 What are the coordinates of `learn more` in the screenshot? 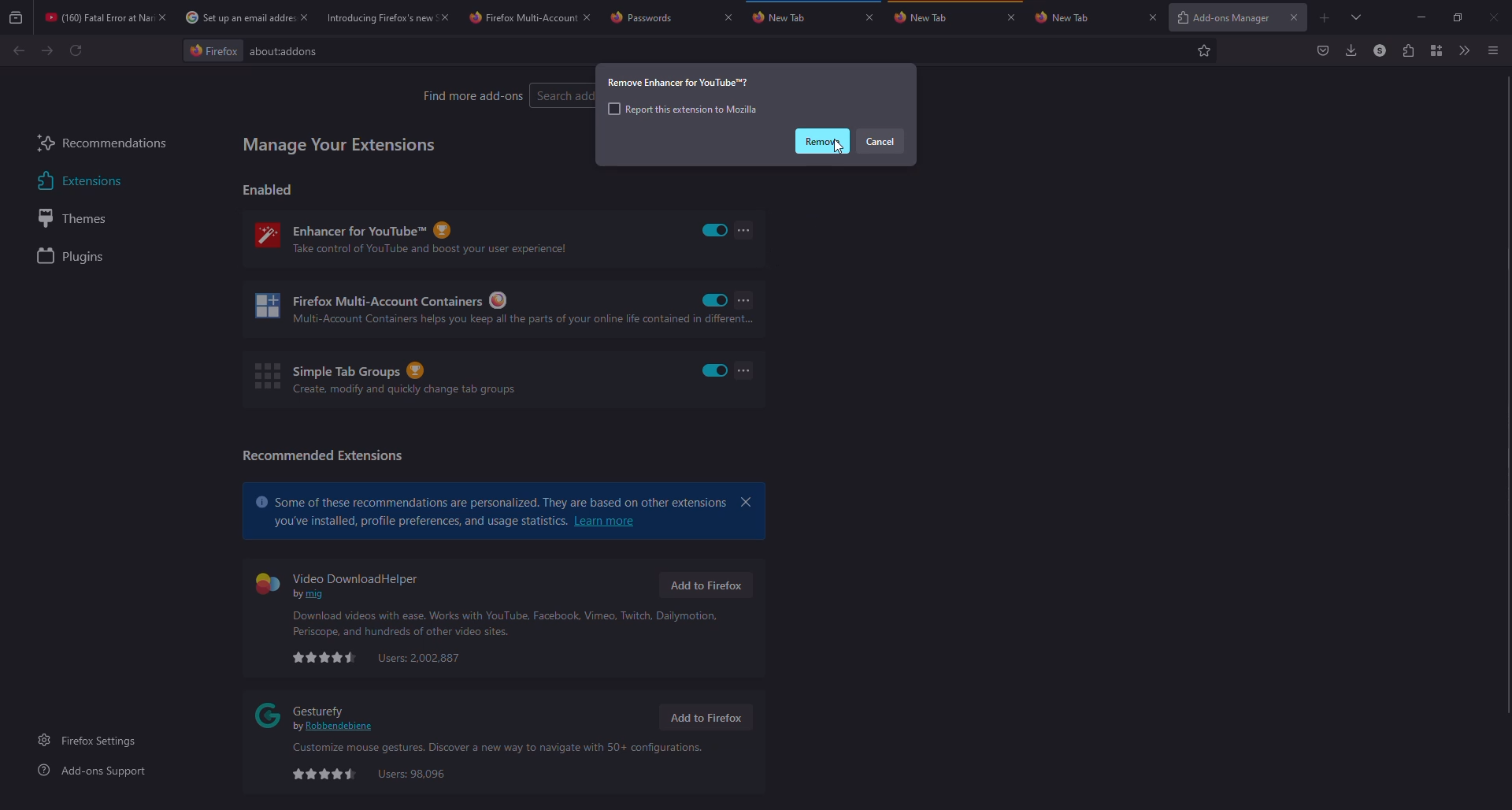 It's located at (491, 498).